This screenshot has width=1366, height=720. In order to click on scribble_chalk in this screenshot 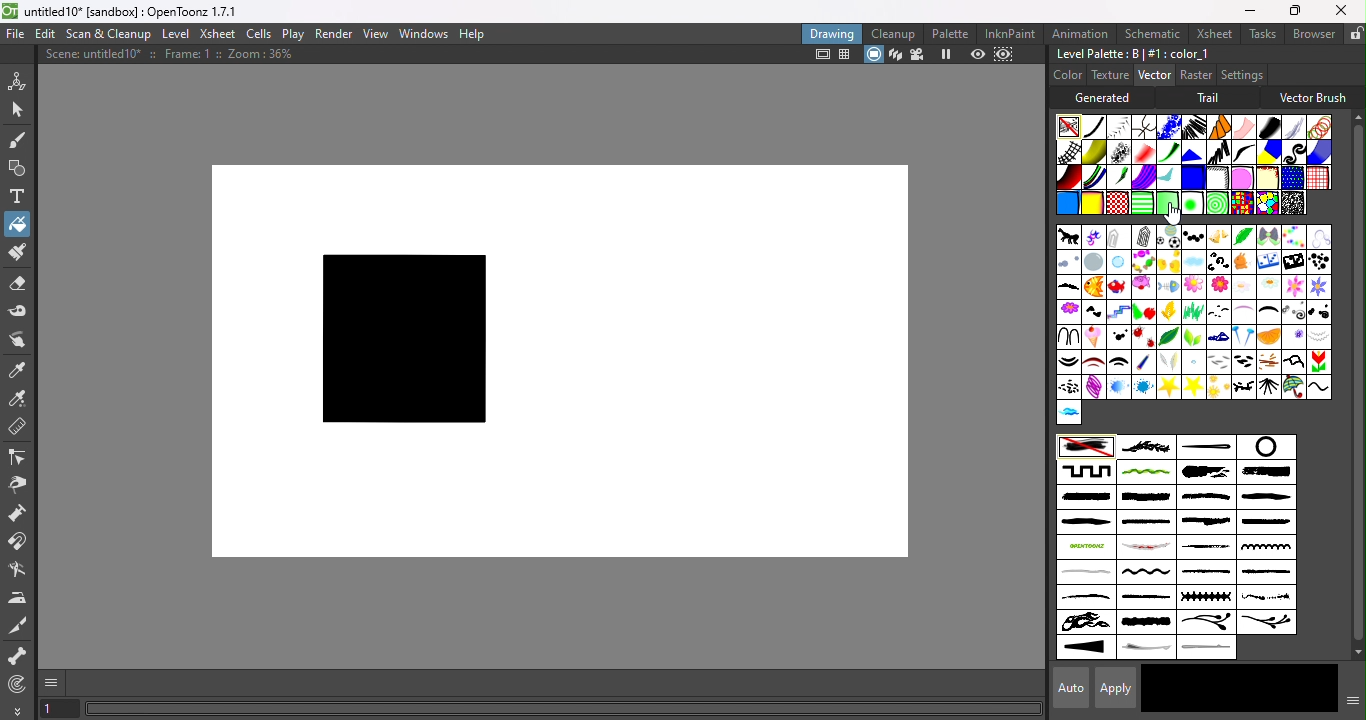, I will do `click(1207, 548)`.